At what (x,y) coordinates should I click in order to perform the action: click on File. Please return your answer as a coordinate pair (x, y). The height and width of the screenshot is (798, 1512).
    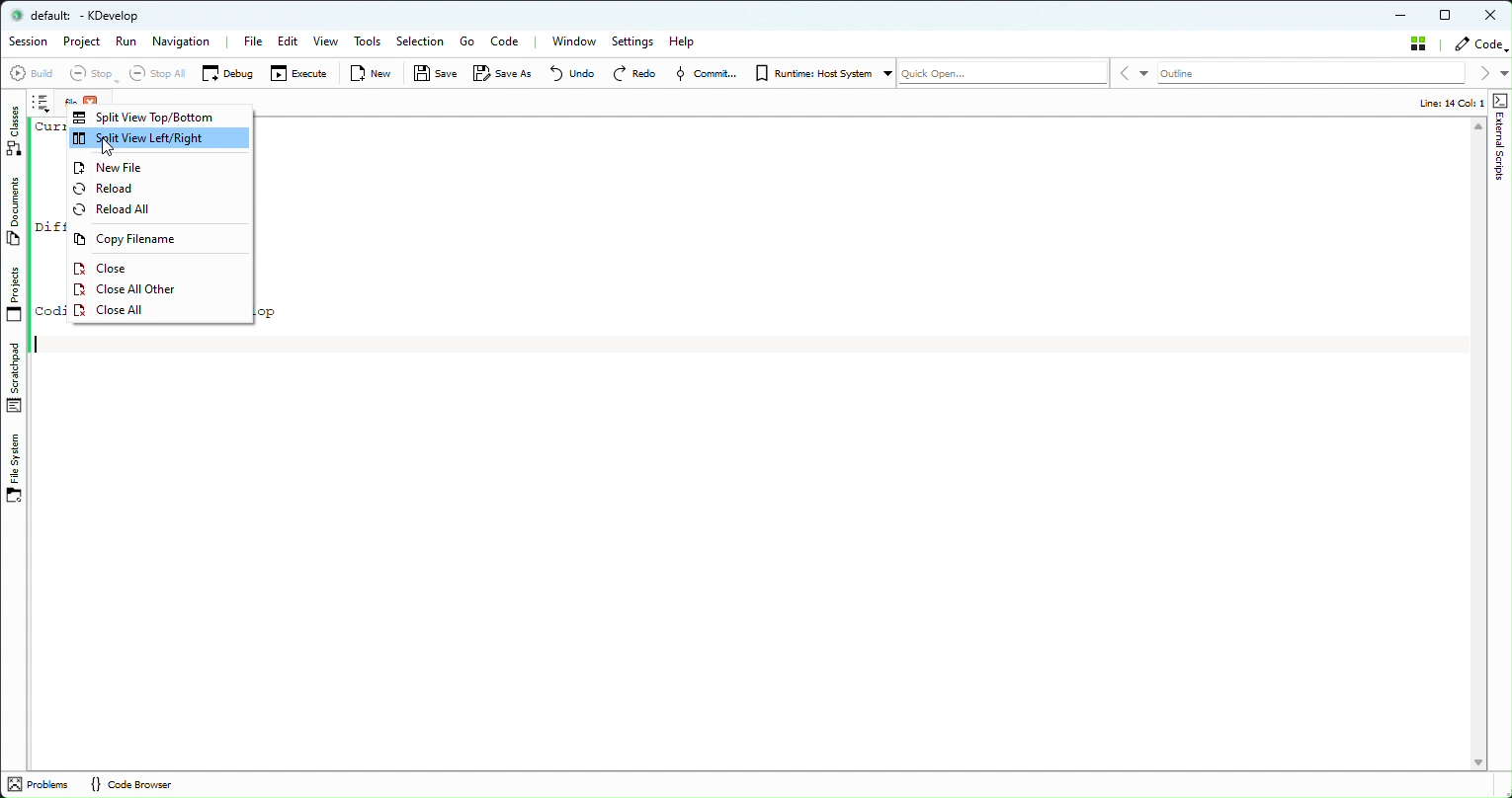
    Looking at the image, I should click on (83, 101).